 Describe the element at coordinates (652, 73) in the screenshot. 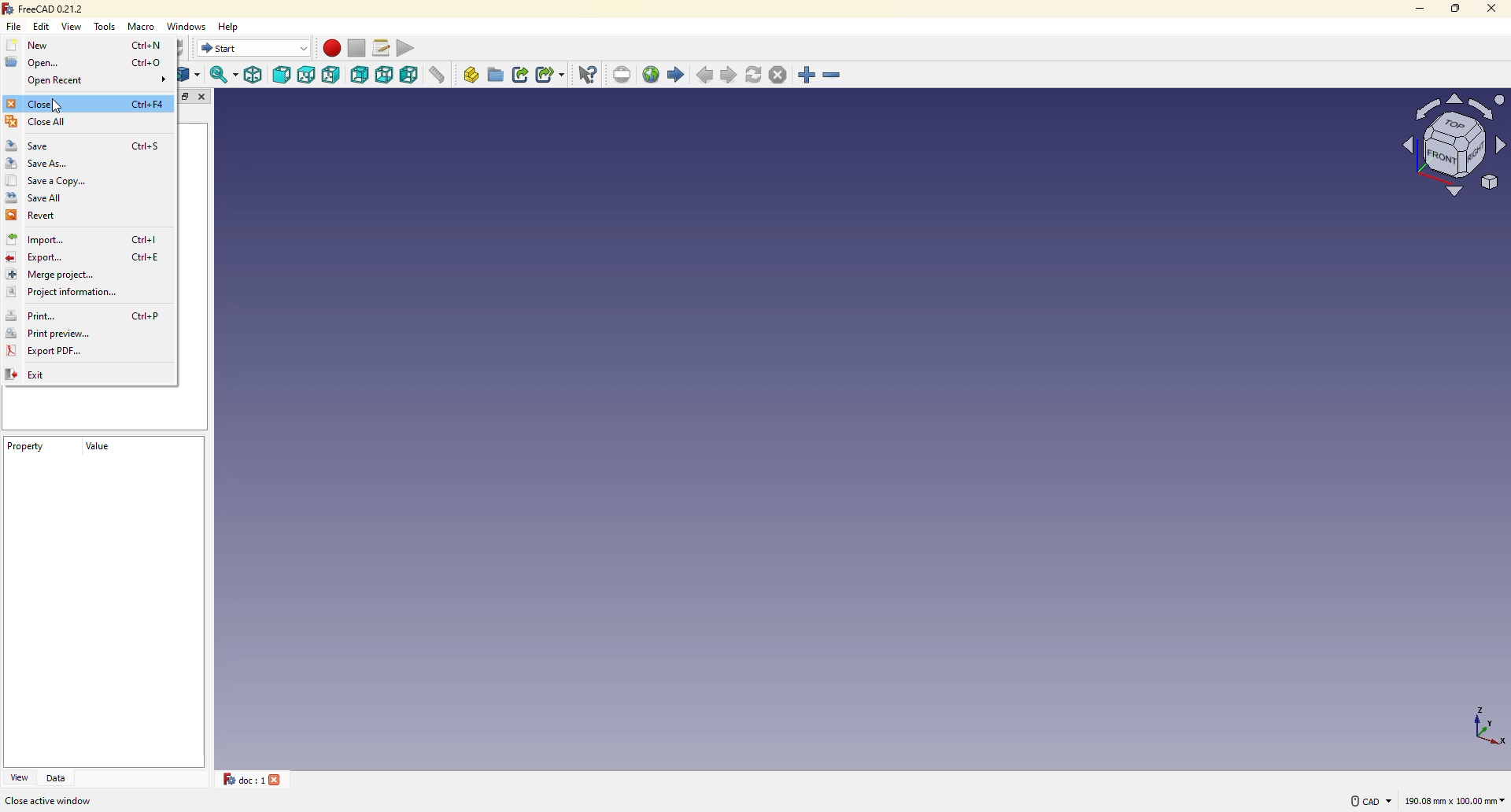

I see `open website` at that location.